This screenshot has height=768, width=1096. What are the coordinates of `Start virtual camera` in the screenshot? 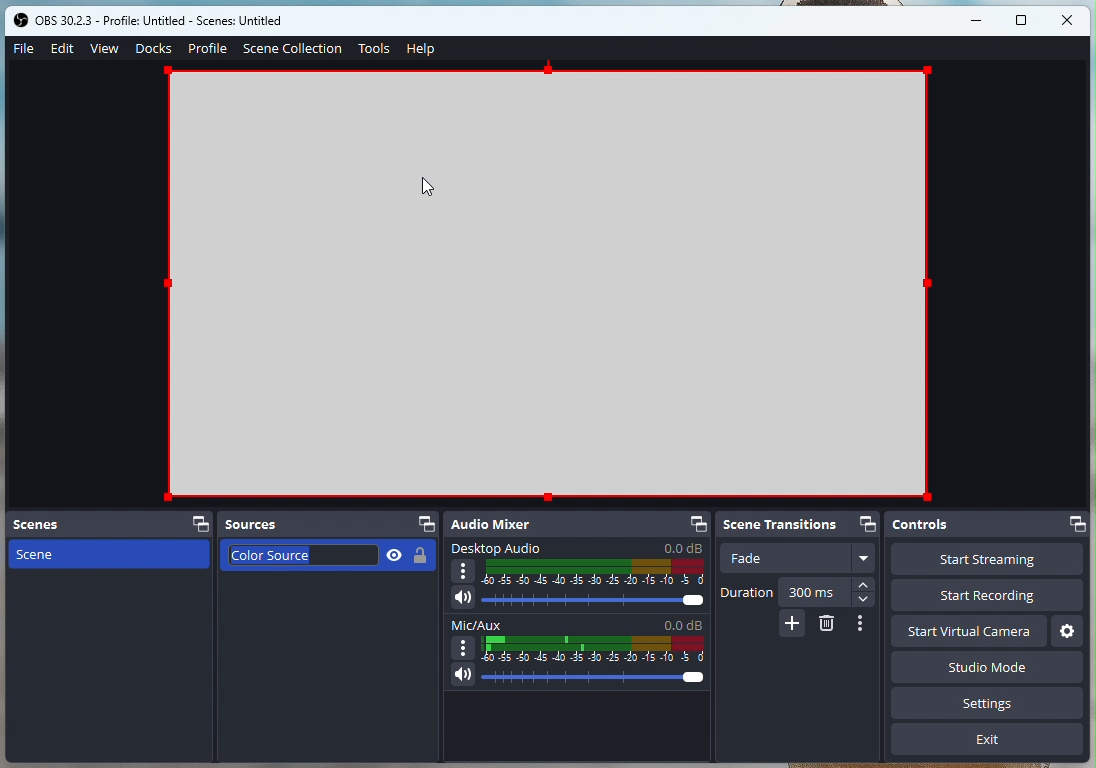 It's located at (969, 630).